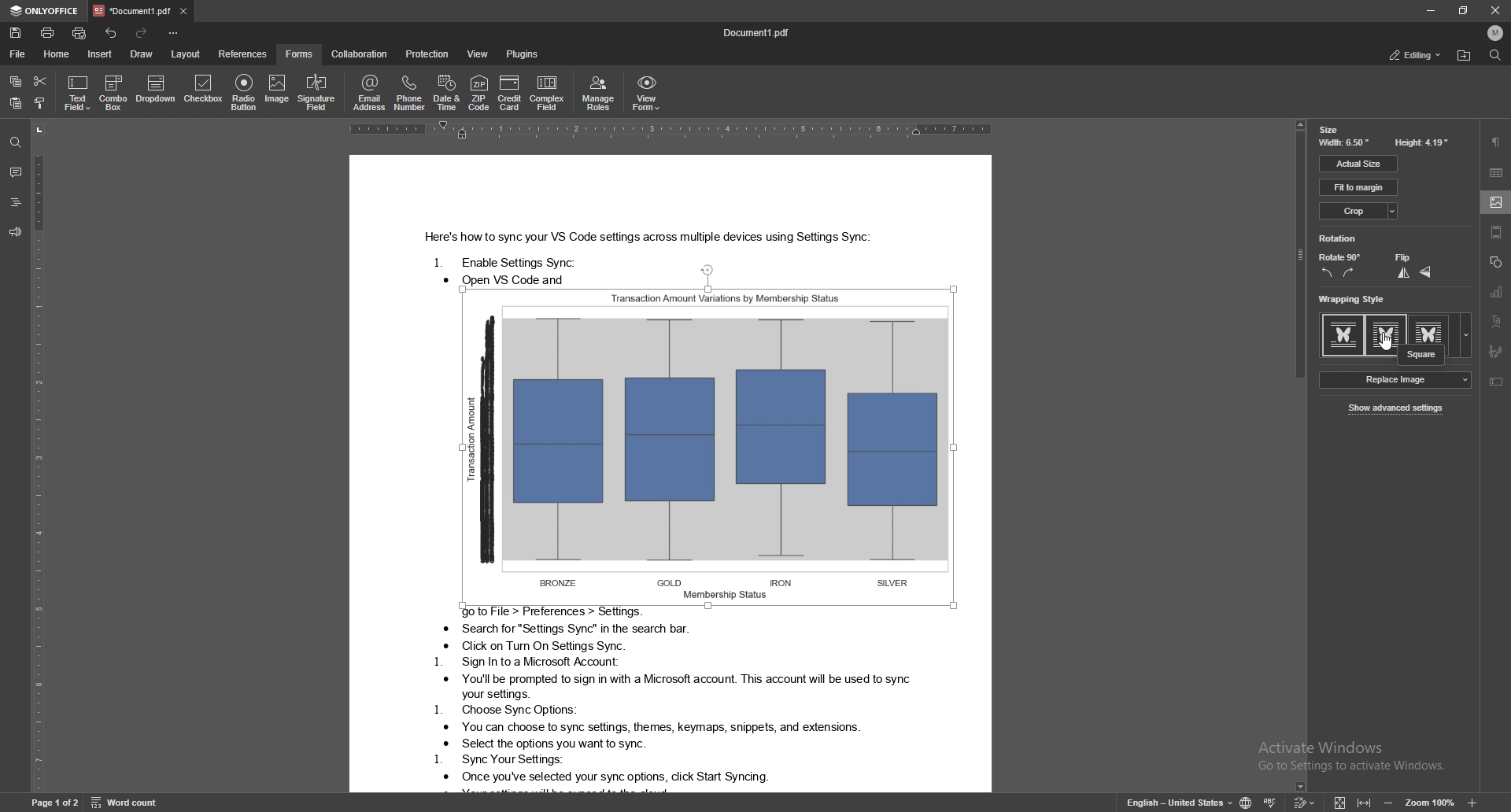  Describe the element at coordinates (1498, 142) in the screenshot. I see `paragraph` at that location.